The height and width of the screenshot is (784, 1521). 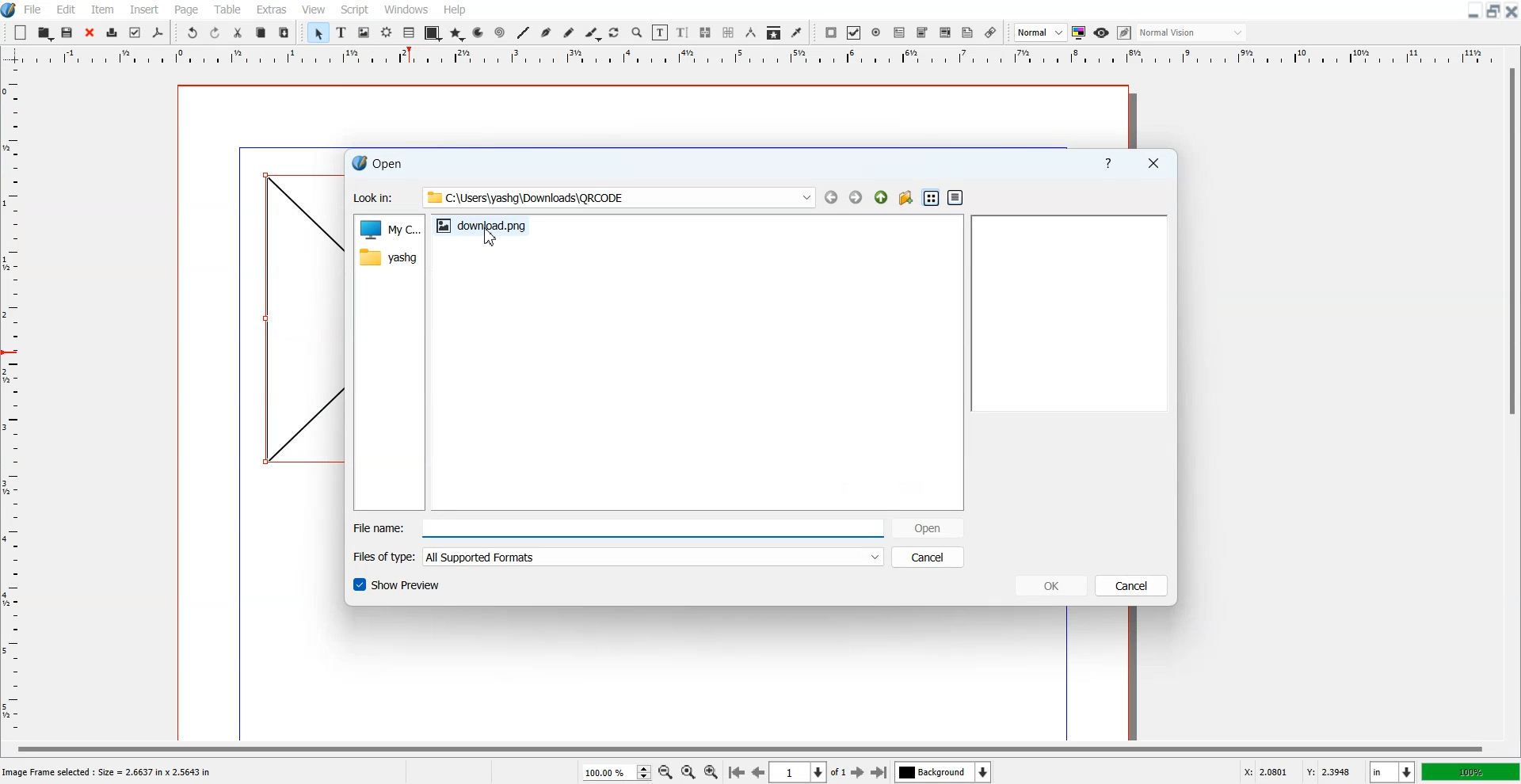 What do you see at coordinates (665, 771) in the screenshot?
I see `Zoom Out` at bounding box center [665, 771].